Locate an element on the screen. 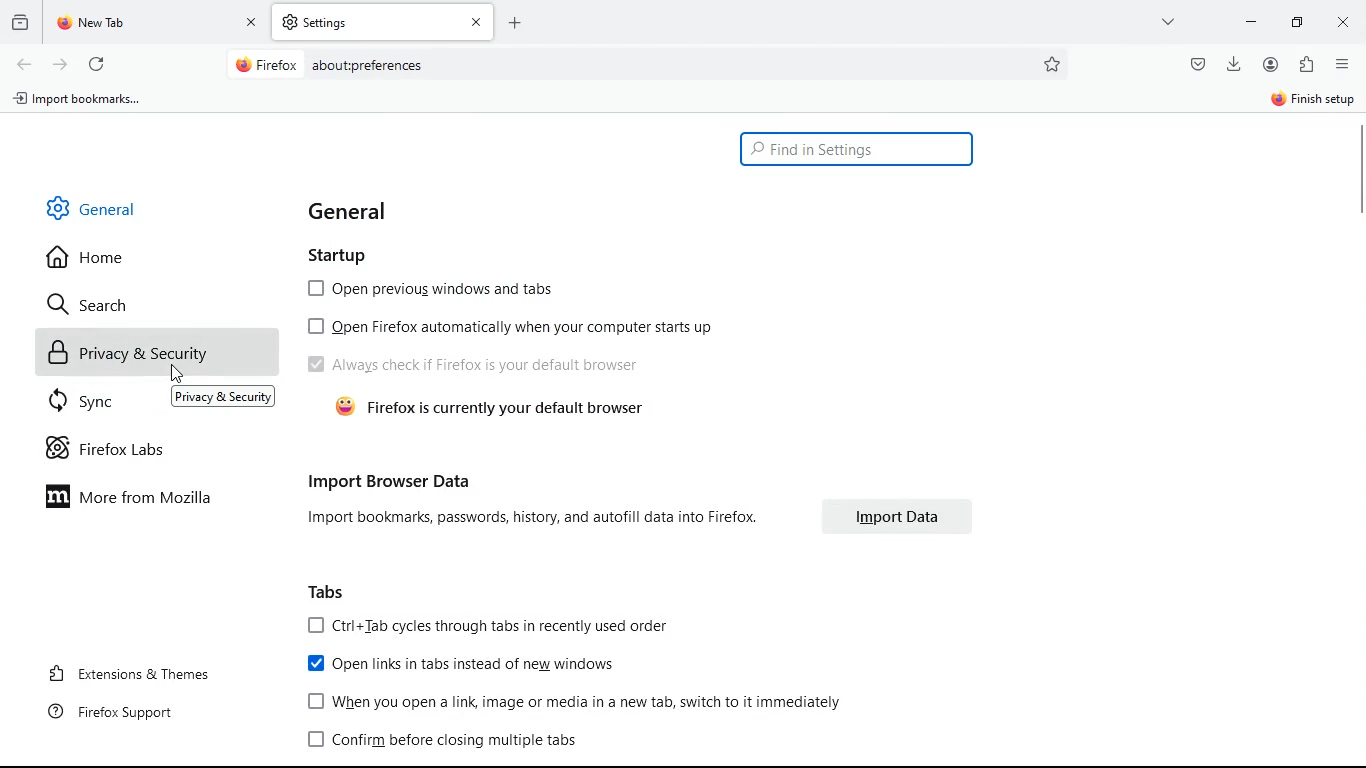 The width and height of the screenshot is (1366, 768). historic is located at coordinates (23, 21).